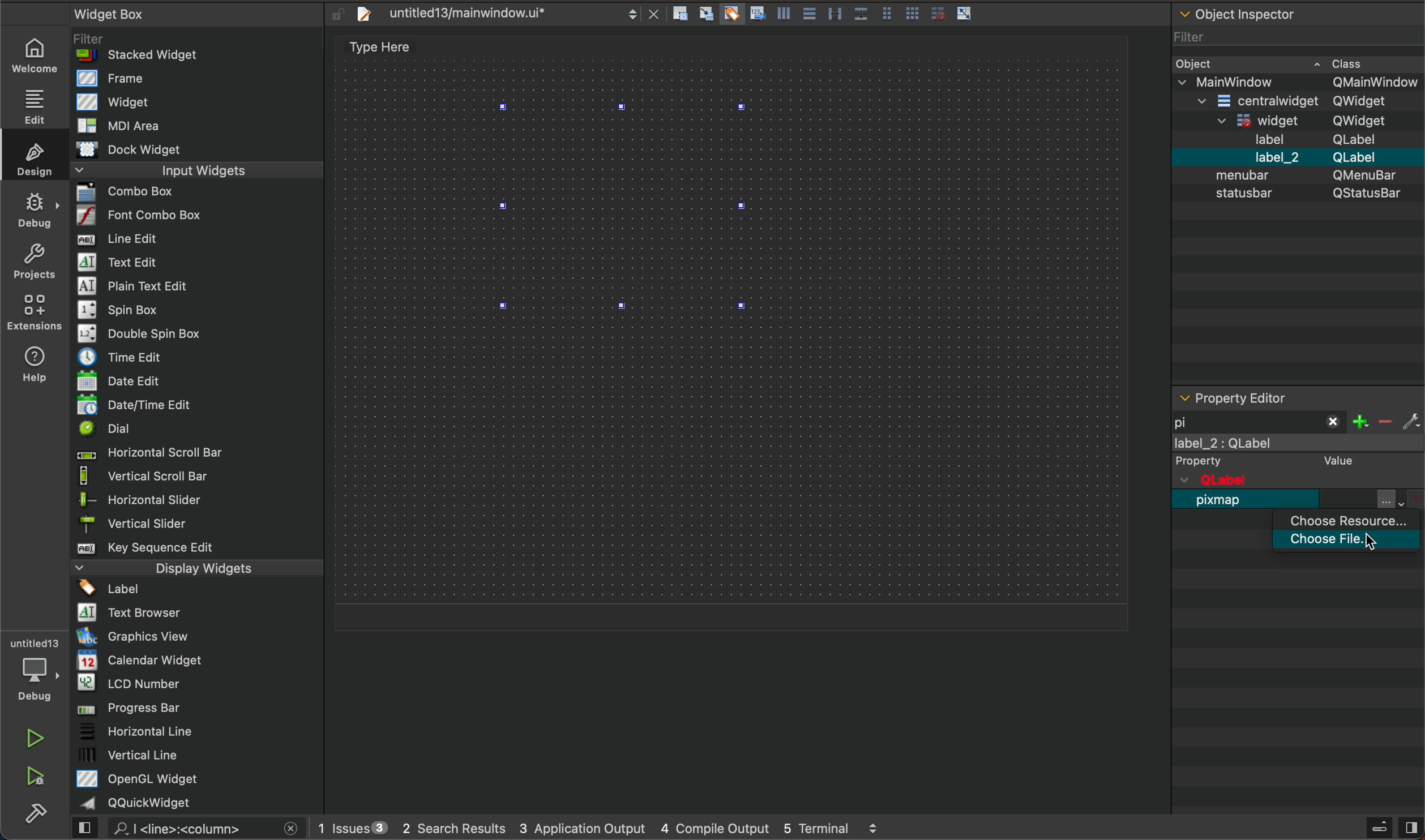 Image resolution: width=1425 pixels, height=840 pixels. Describe the element at coordinates (33, 668) in the screenshot. I see `debugger` at that location.